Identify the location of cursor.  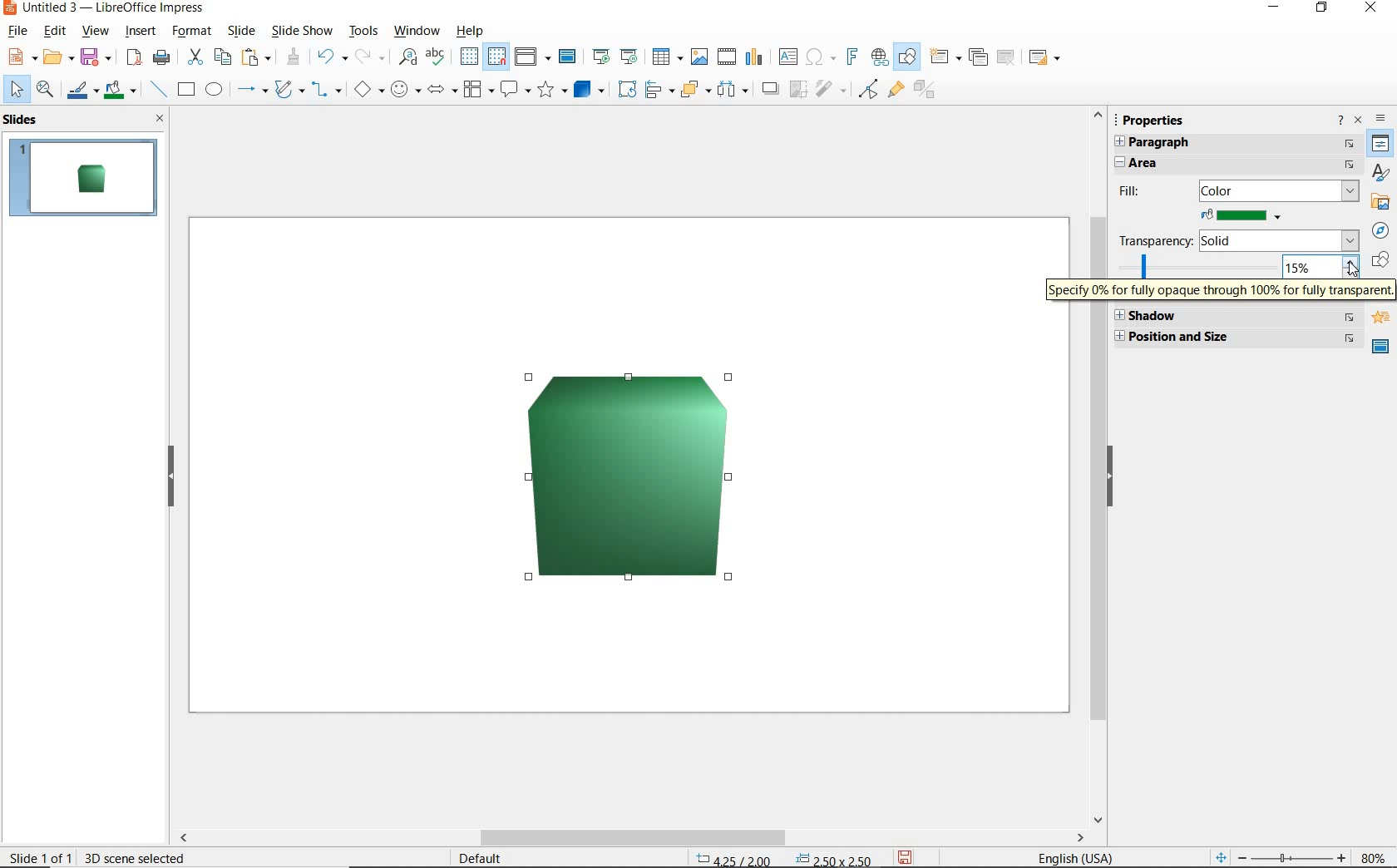
(1349, 268).